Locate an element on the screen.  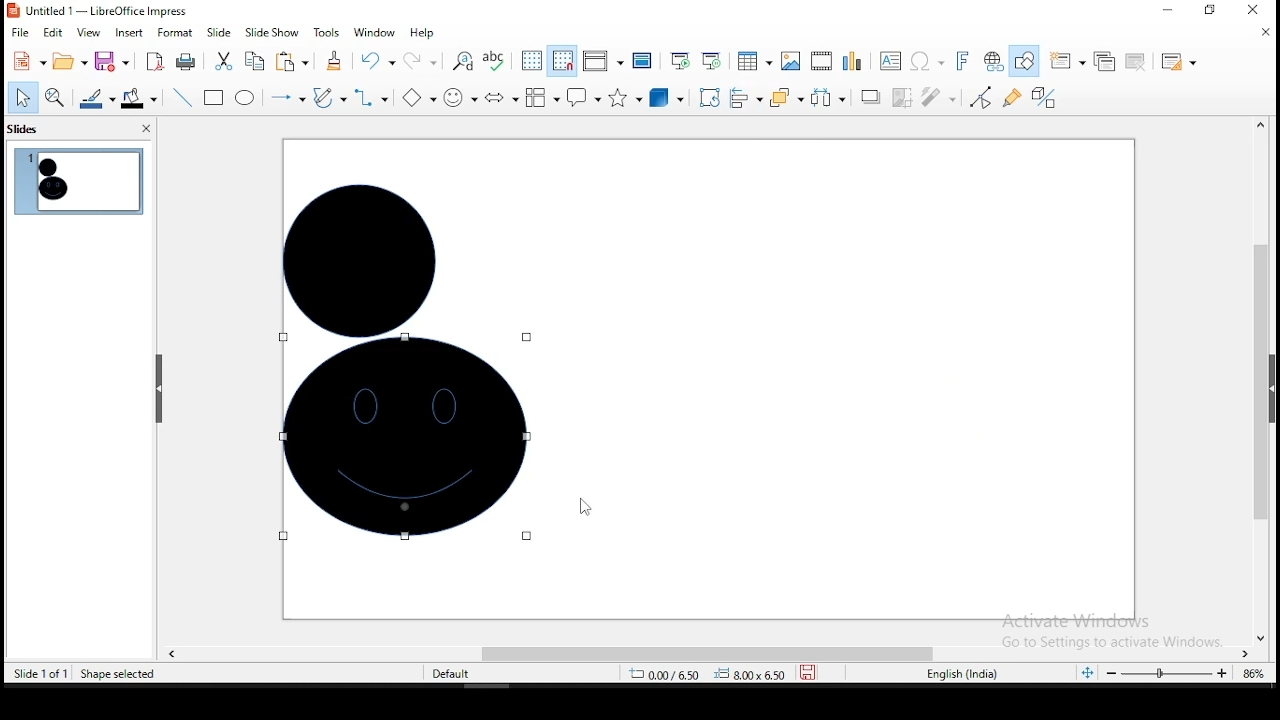
line color is located at coordinates (96, 101).